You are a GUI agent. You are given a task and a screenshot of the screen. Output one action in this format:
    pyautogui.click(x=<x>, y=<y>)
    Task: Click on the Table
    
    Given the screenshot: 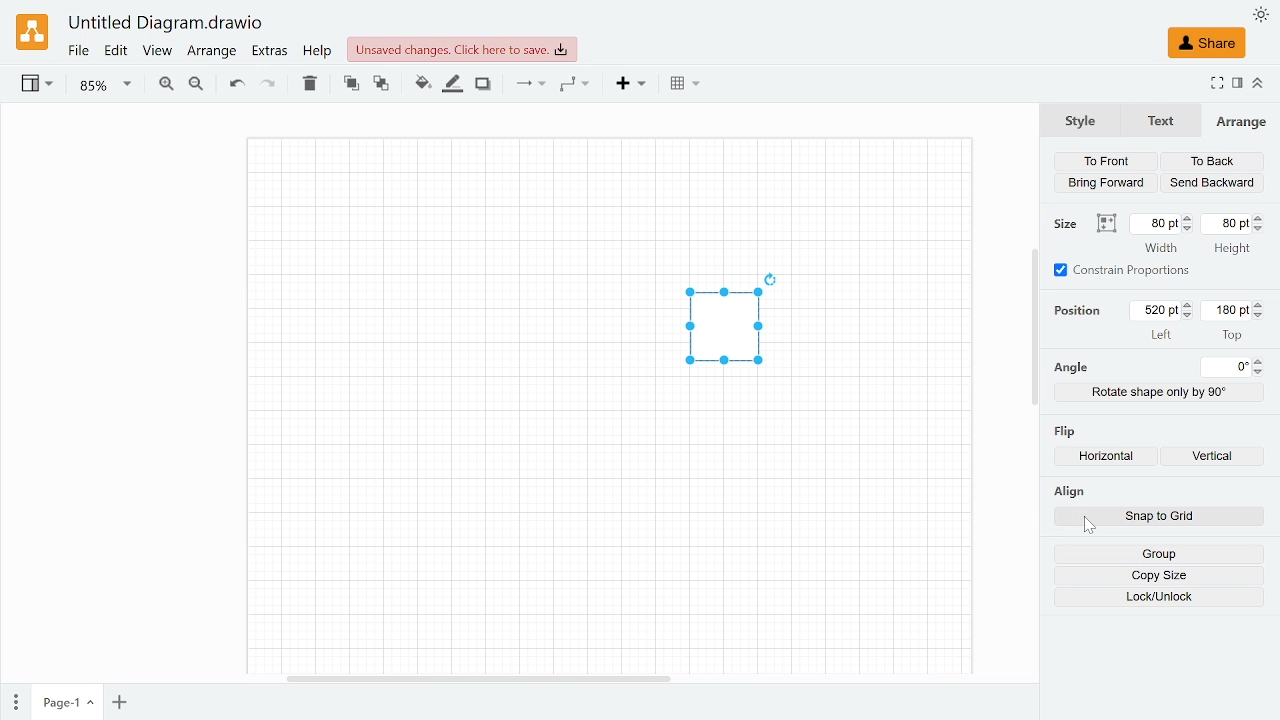 What is the action you would take?
    pyautogui.click(x=685, y=85)
    